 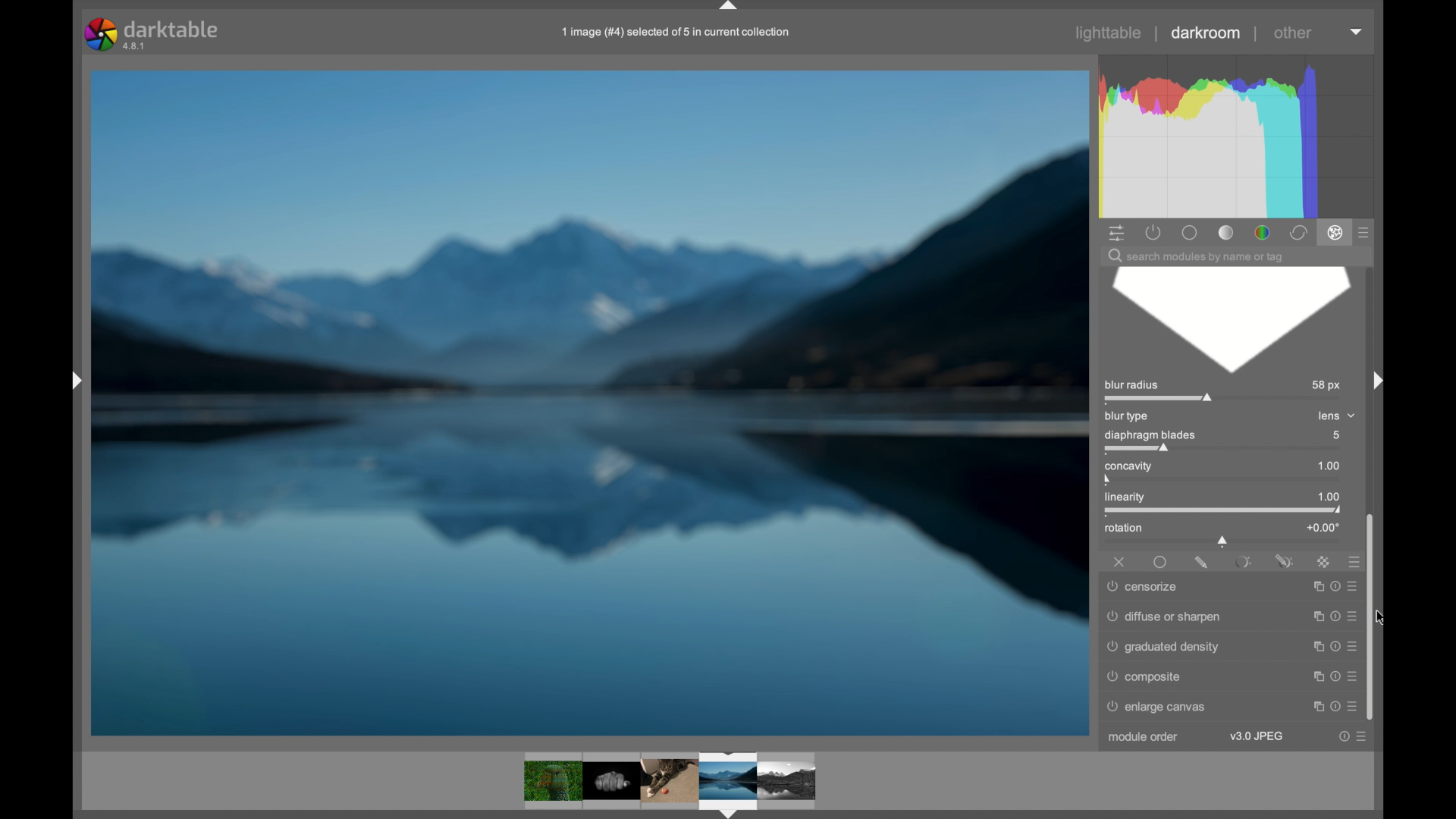 What do you see at coordinates (1332, 643) in the screenshot?
I see `Help` at bounding box center [1332, 643].